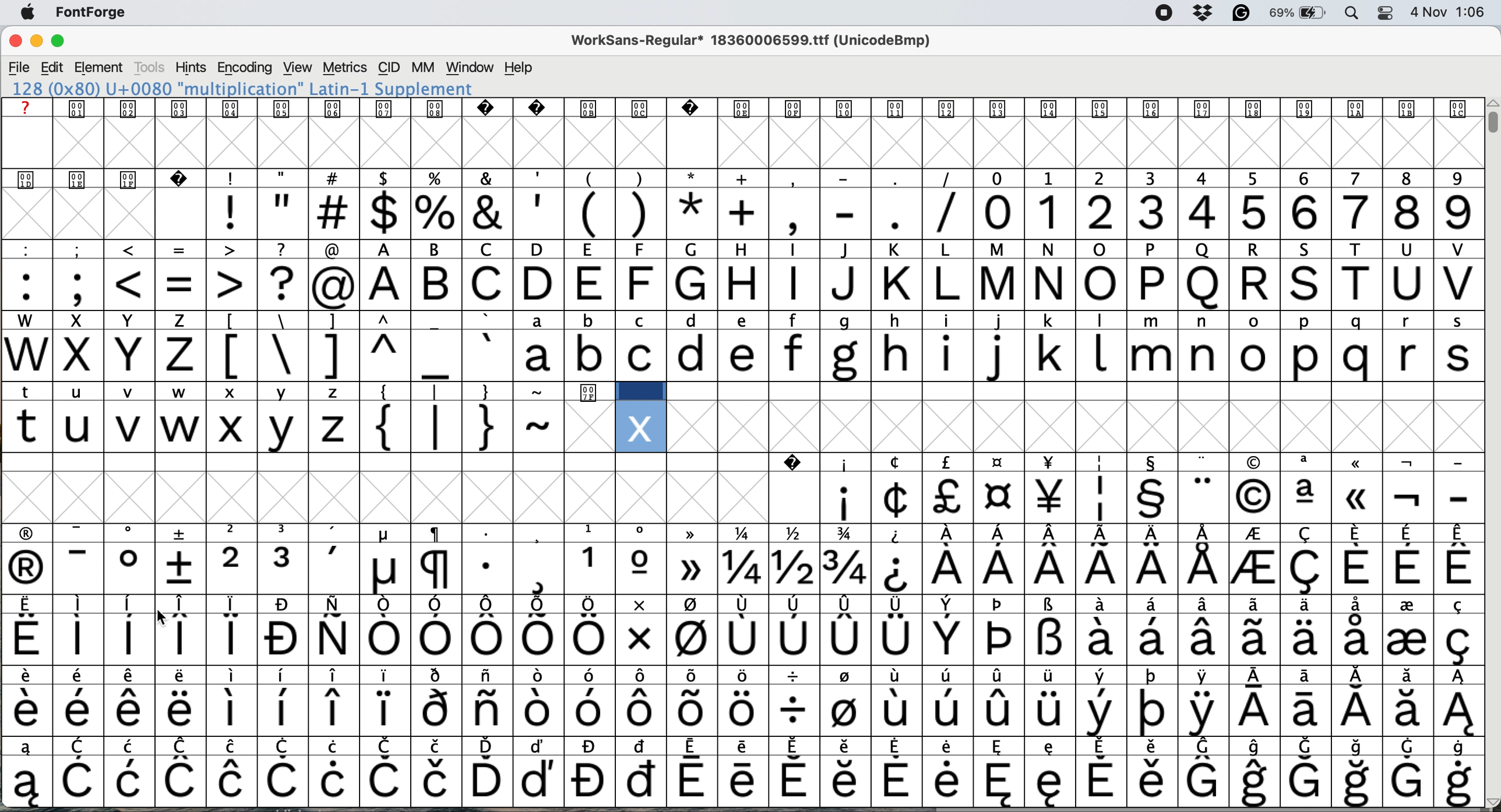  Describe the element at coordinates (346, 68) in the screenshot. I see `metrics` at that location.